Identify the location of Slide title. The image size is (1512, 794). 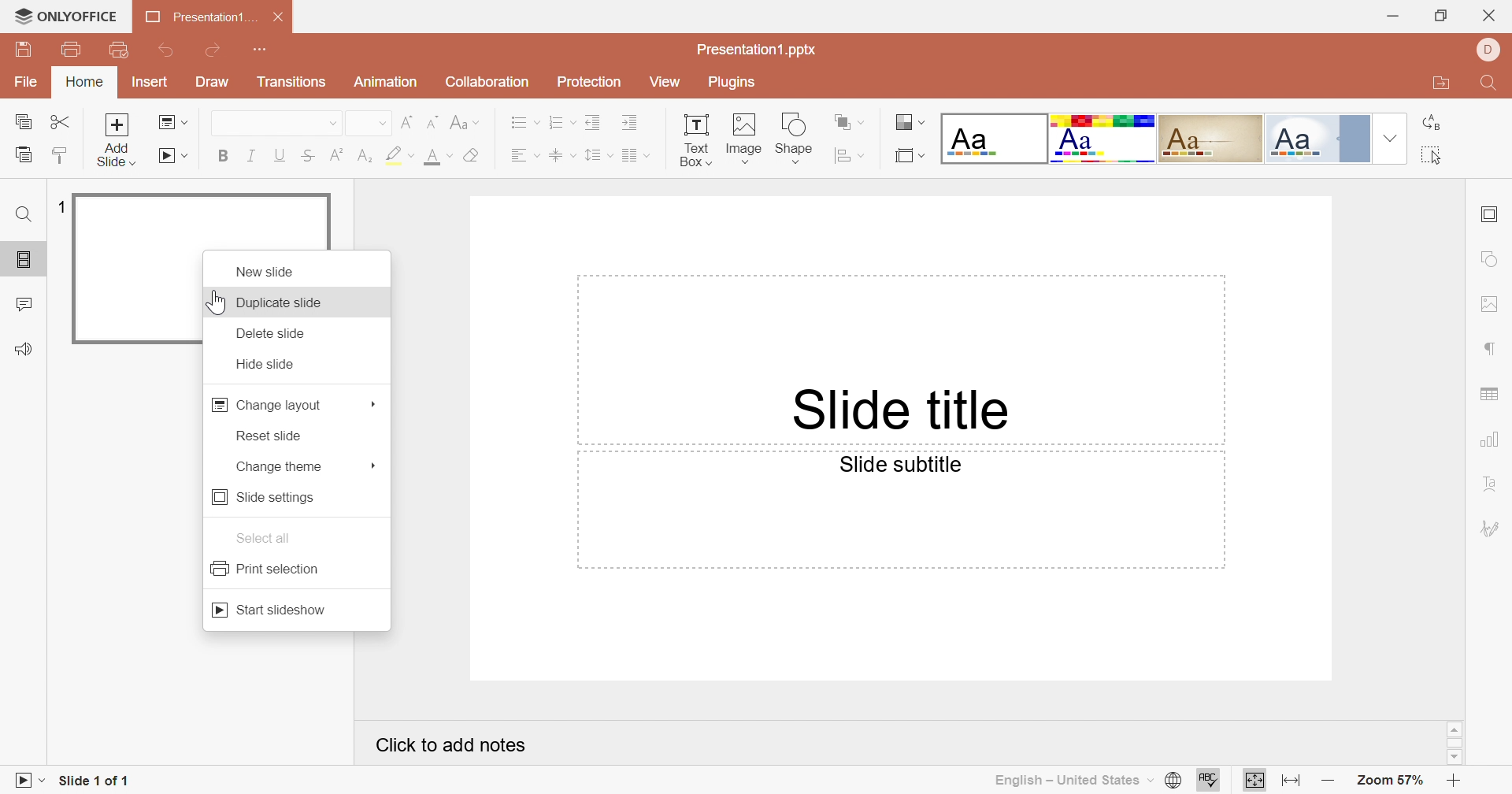
(903, 412).